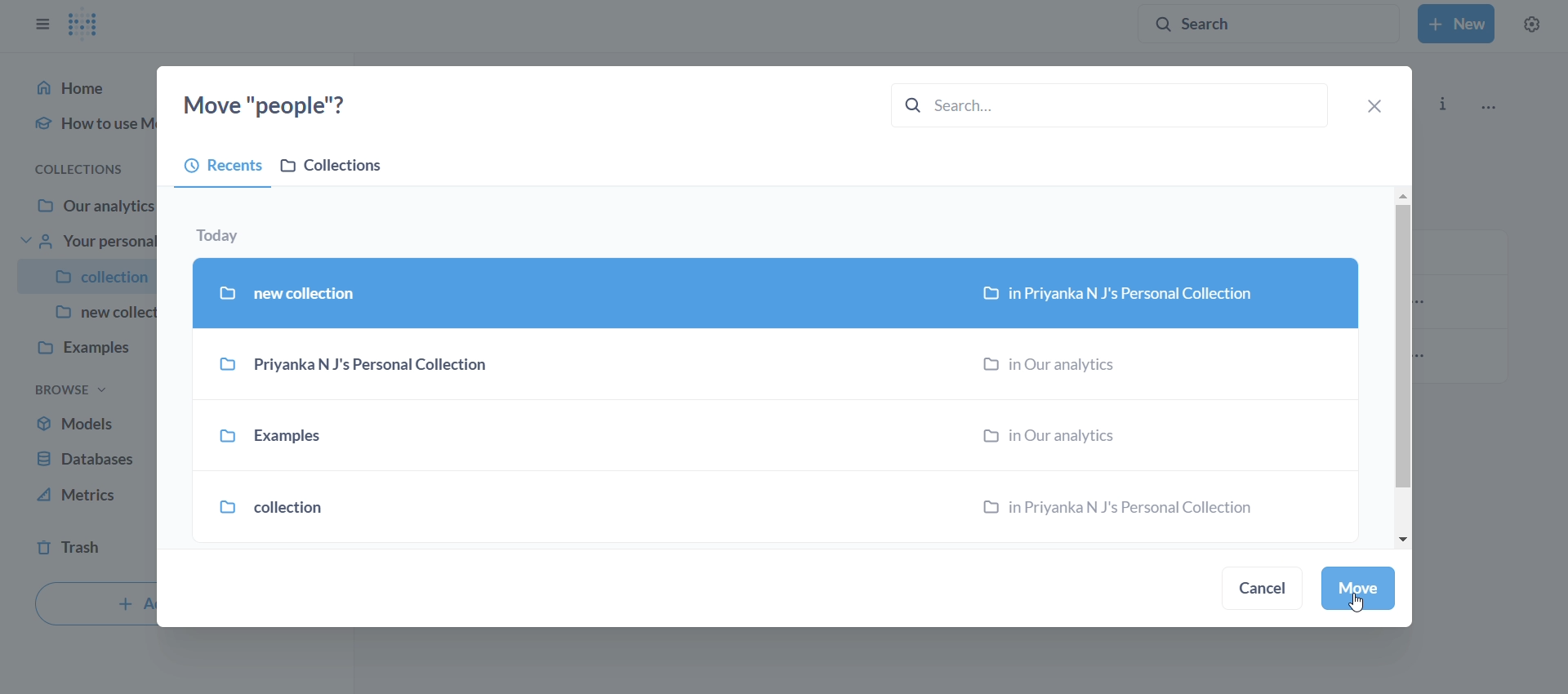  What do you see at coordinates (89, 25) in the screenshot?
I see `logo` at bounding box center [89, 25].